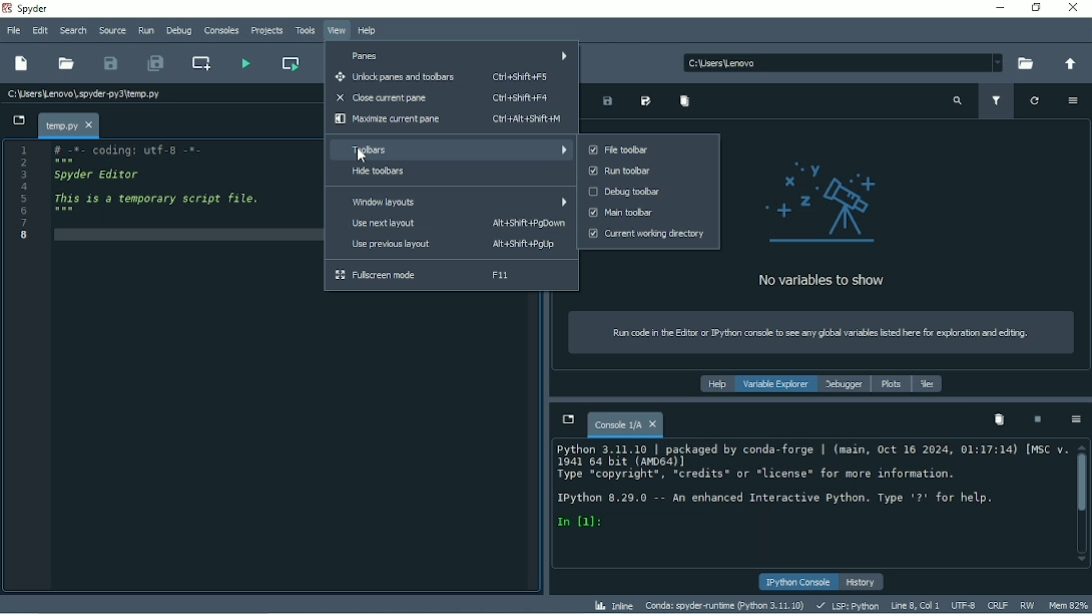 The width and height of the screenshot is (1092, 614). I want to click on Tools, so click(304, 30).